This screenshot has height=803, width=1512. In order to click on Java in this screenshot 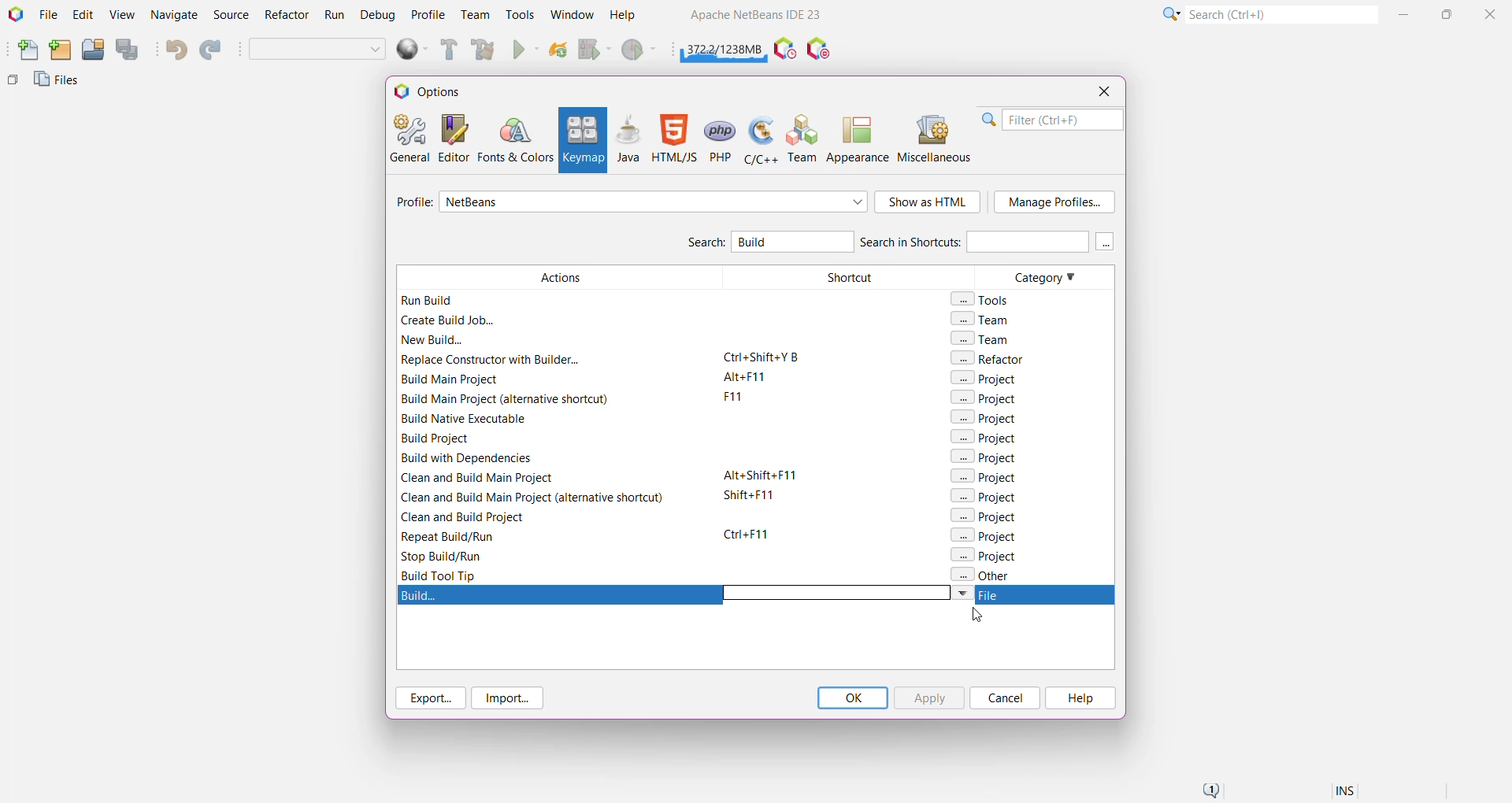, I will do `click(628, 139)`.